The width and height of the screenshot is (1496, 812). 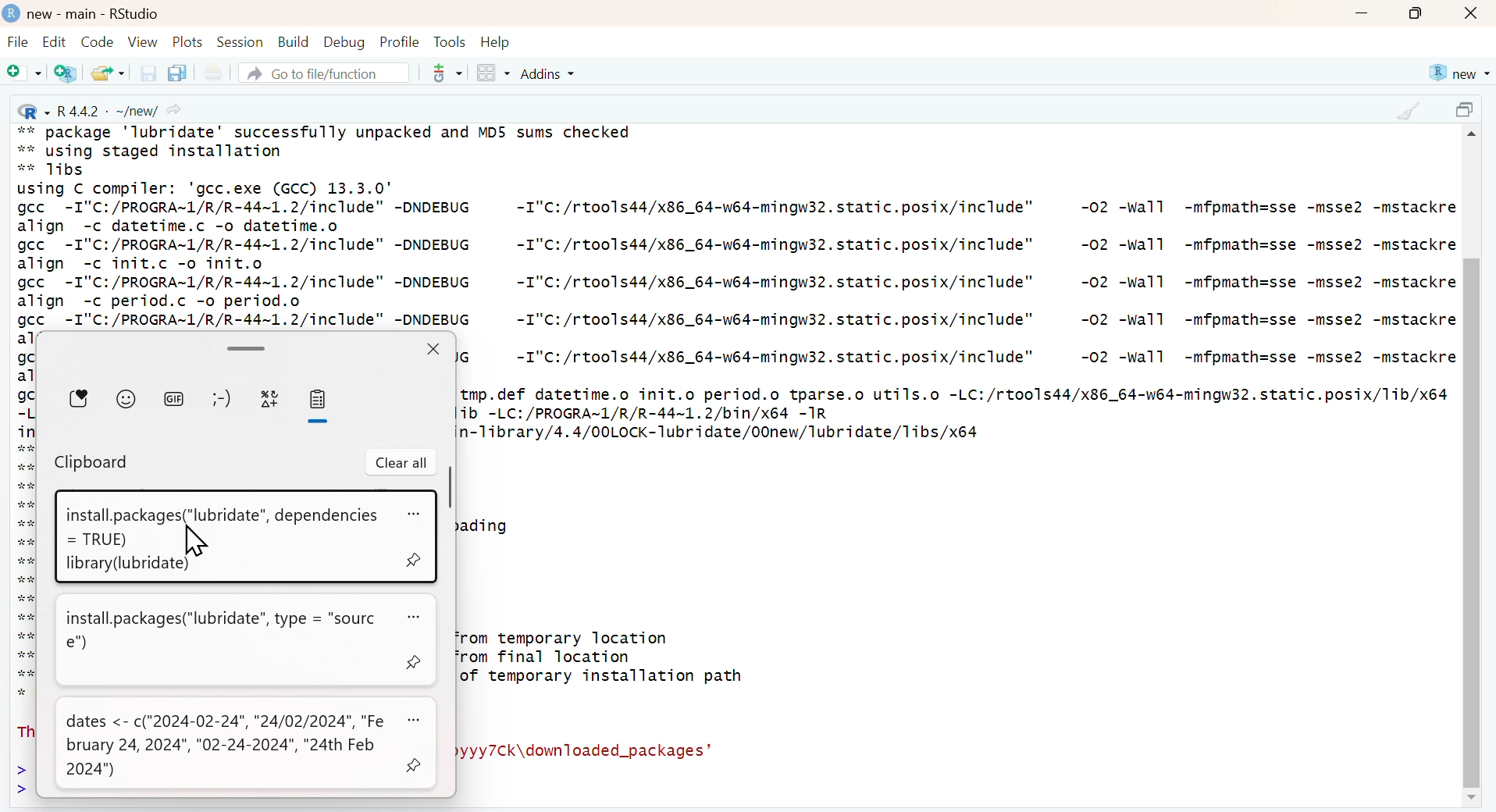 What do you see at coordinates (80, 398) in the screenshot?
I see `favorite` at bounding box center [80, 398].